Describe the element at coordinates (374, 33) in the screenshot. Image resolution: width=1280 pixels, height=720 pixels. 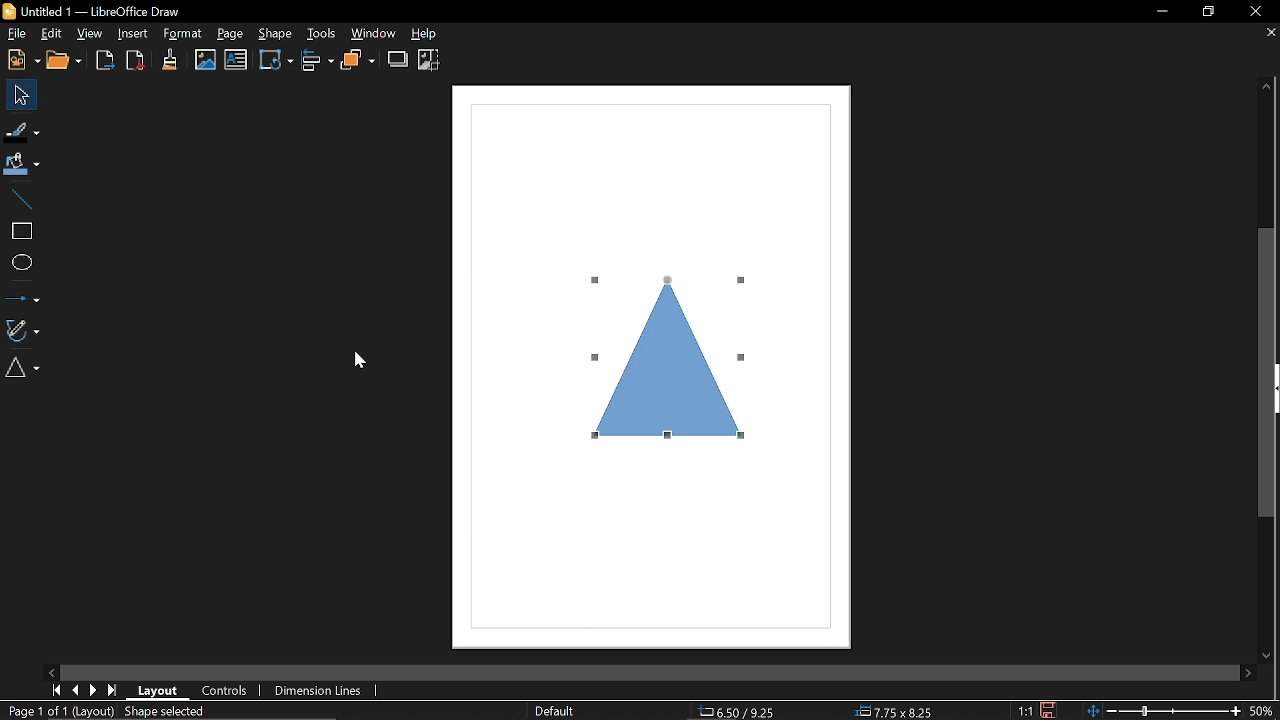
I see `Window` at that location.